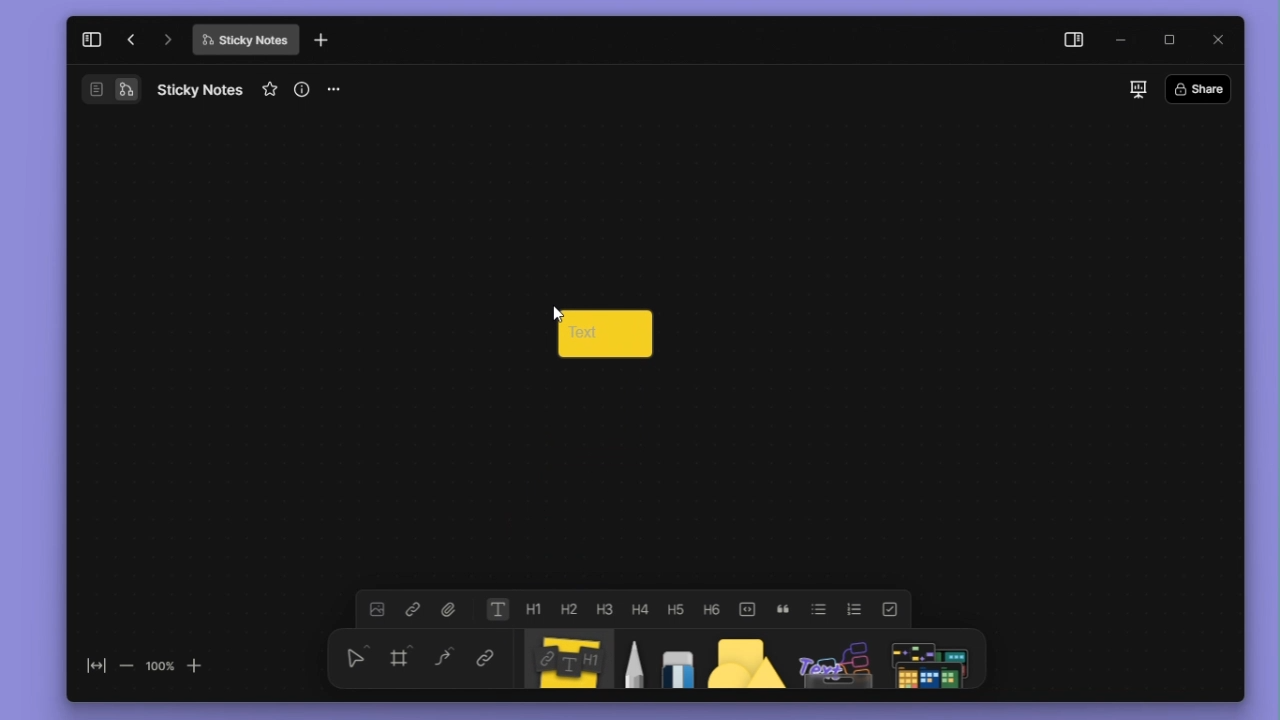 This screenshot has width=1280, height=720. Describe the element at coordinates (356, 658) in the screenshot. I see `select` at that location.